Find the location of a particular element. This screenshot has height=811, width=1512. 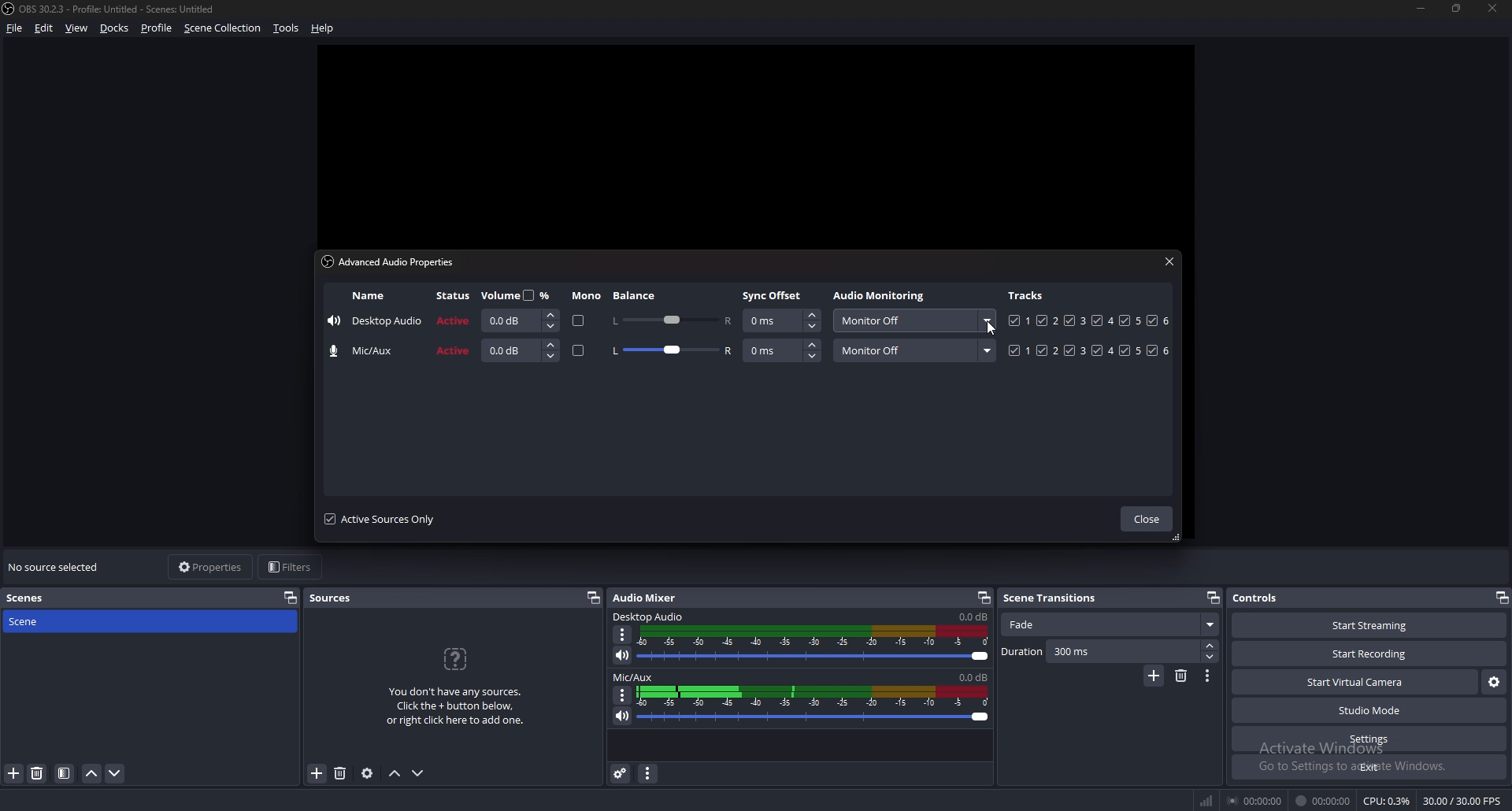

resize is located at coordinates (1459, 9).